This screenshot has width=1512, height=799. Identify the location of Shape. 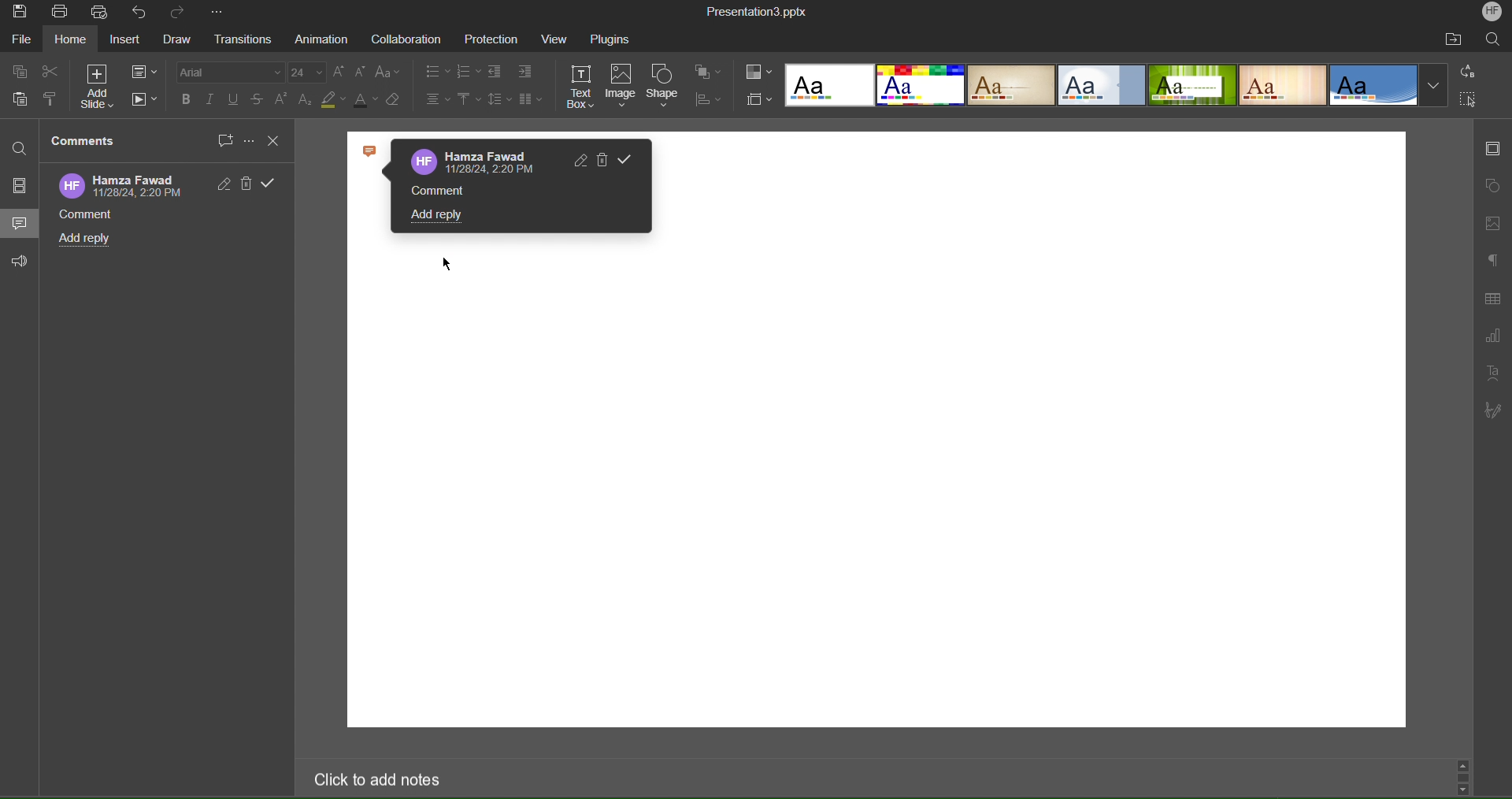
(666, 86).